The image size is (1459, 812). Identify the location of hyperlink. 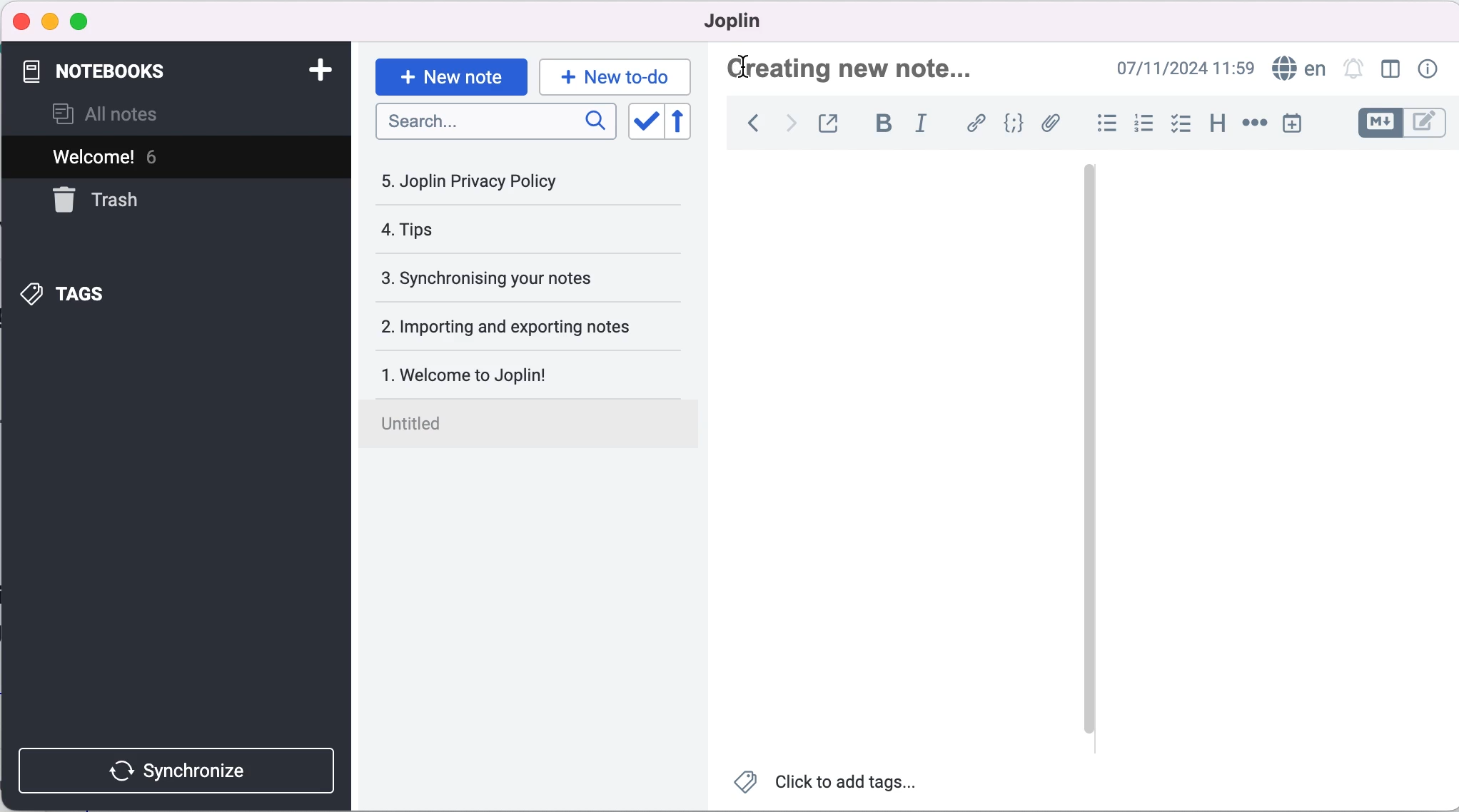
(975, 123).